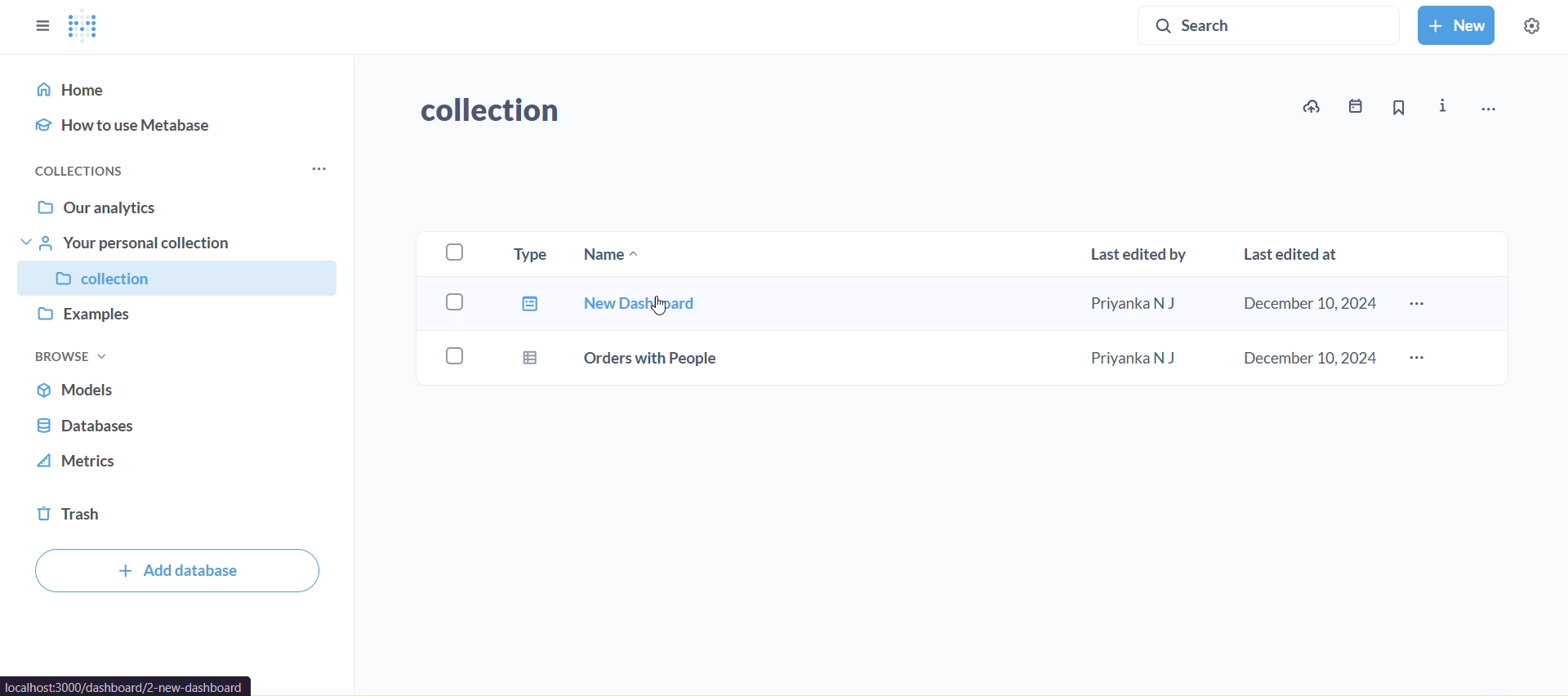 The image size is (1568, 696). I want to click on new, so click(1458, 26).